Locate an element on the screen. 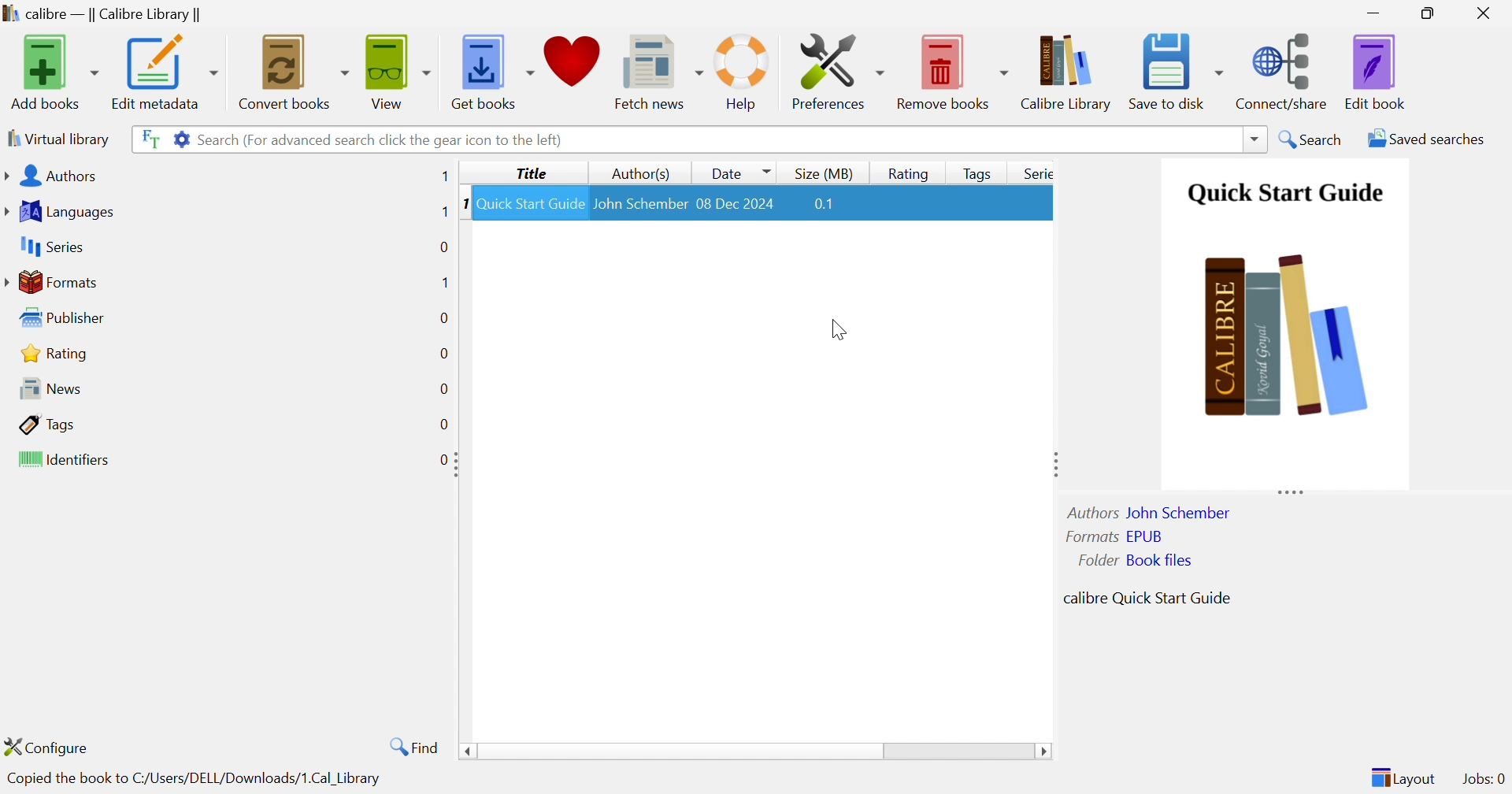 Image resolution: width=1512 pixels, height=794 pixels. Series is located at coordinates (1036, 173).